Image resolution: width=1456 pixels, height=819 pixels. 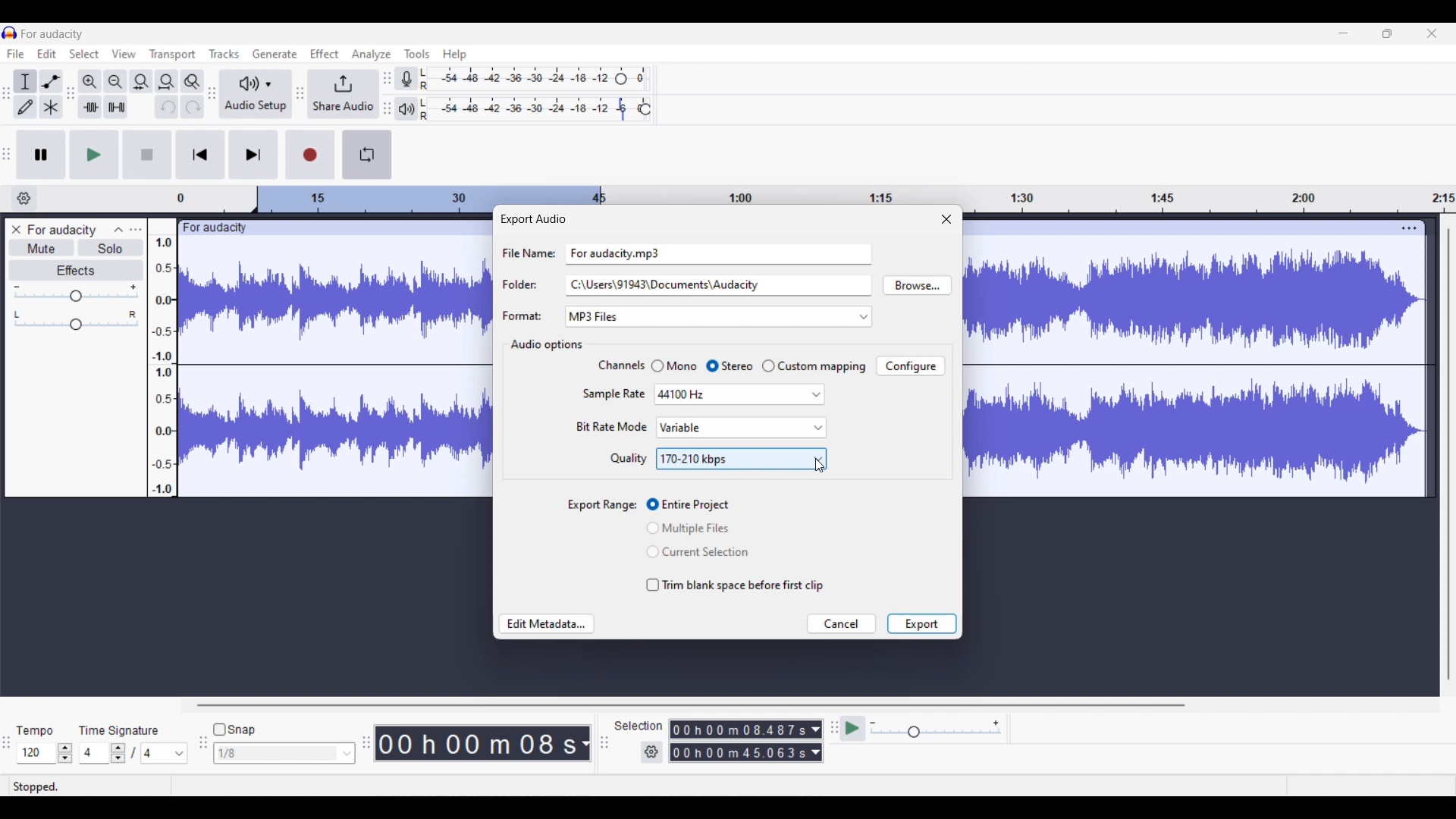 What do you see at coordinates (532, 219) in the screenshot?
I see `Window title` at bounding box center [532, 219].